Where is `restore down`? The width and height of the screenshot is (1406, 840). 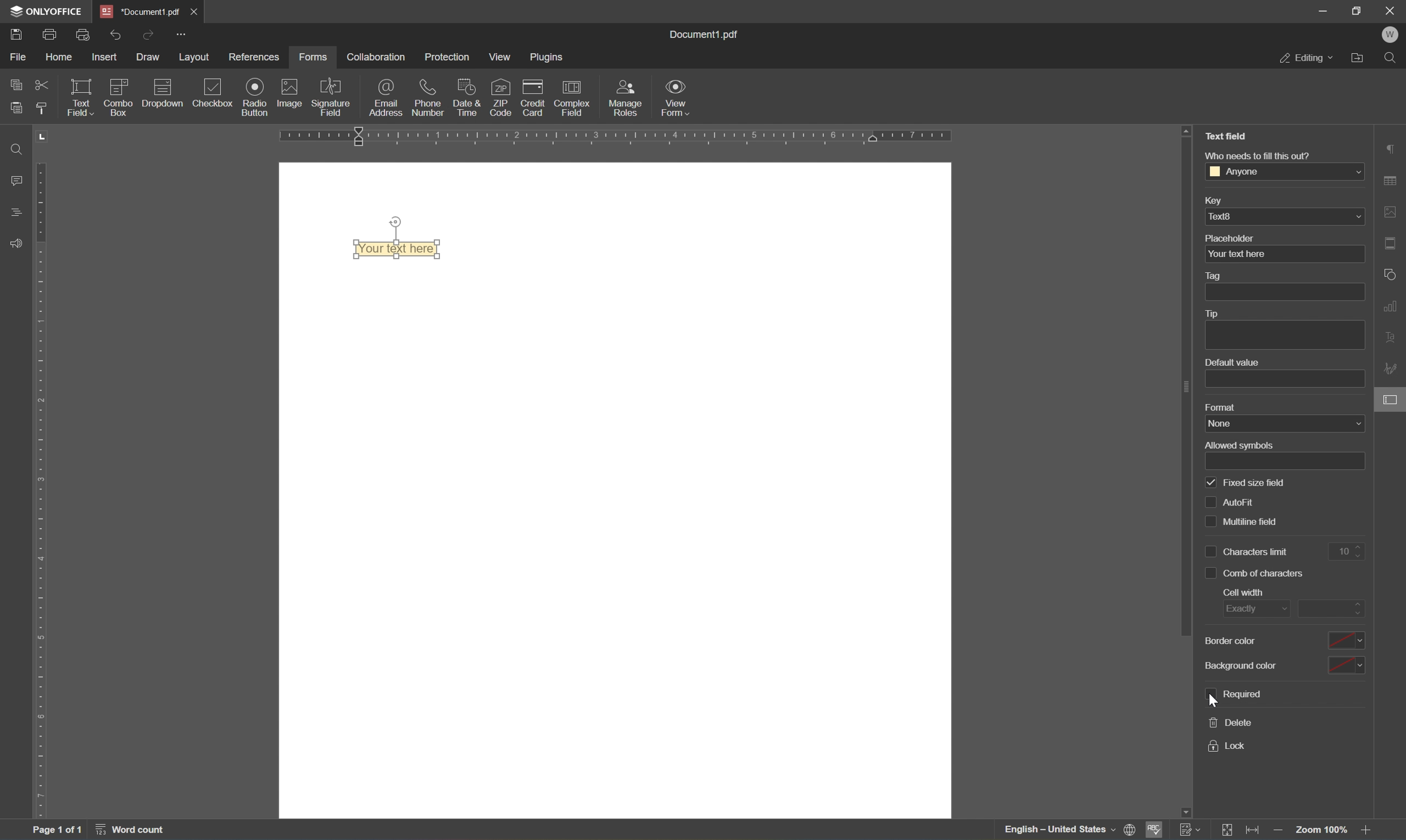 restore down is located at coordinates (1355, 11).